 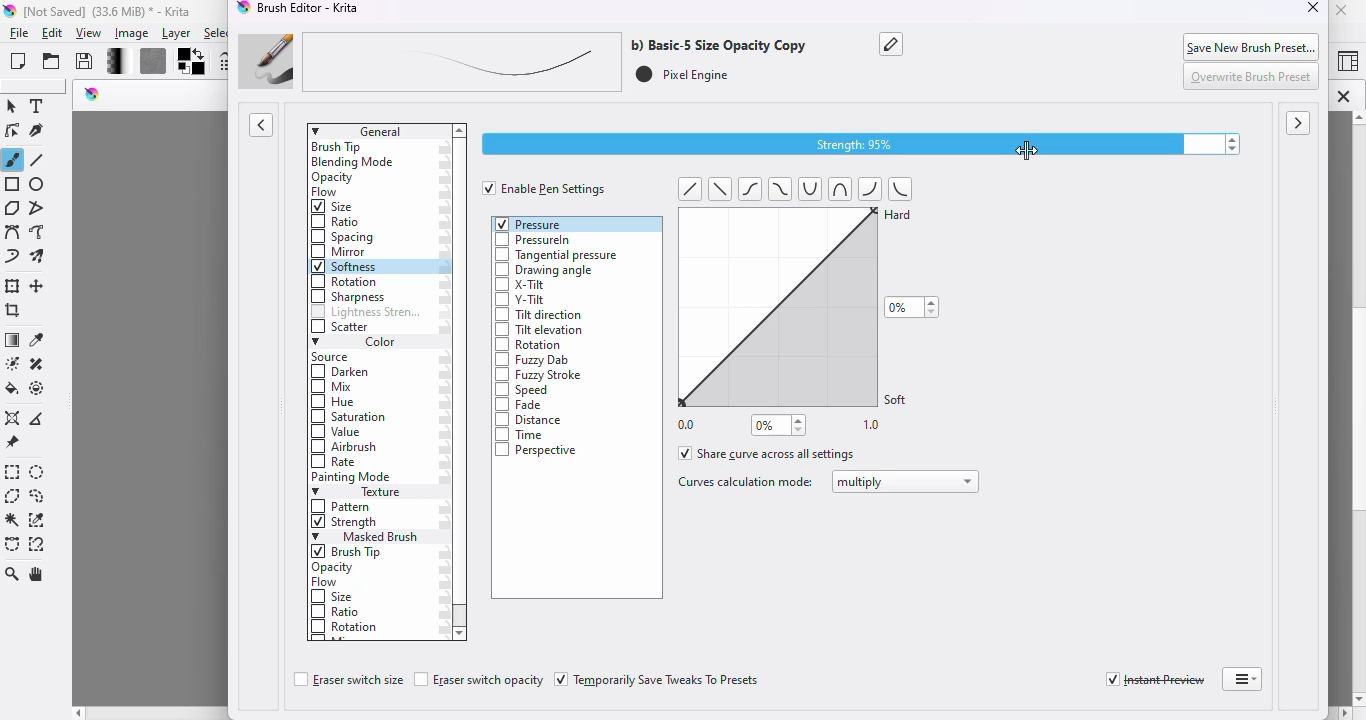 What do you see at coordinates (520, 300) in the screenshot?
I see `y-tilt` at bounding box center [520, 300].